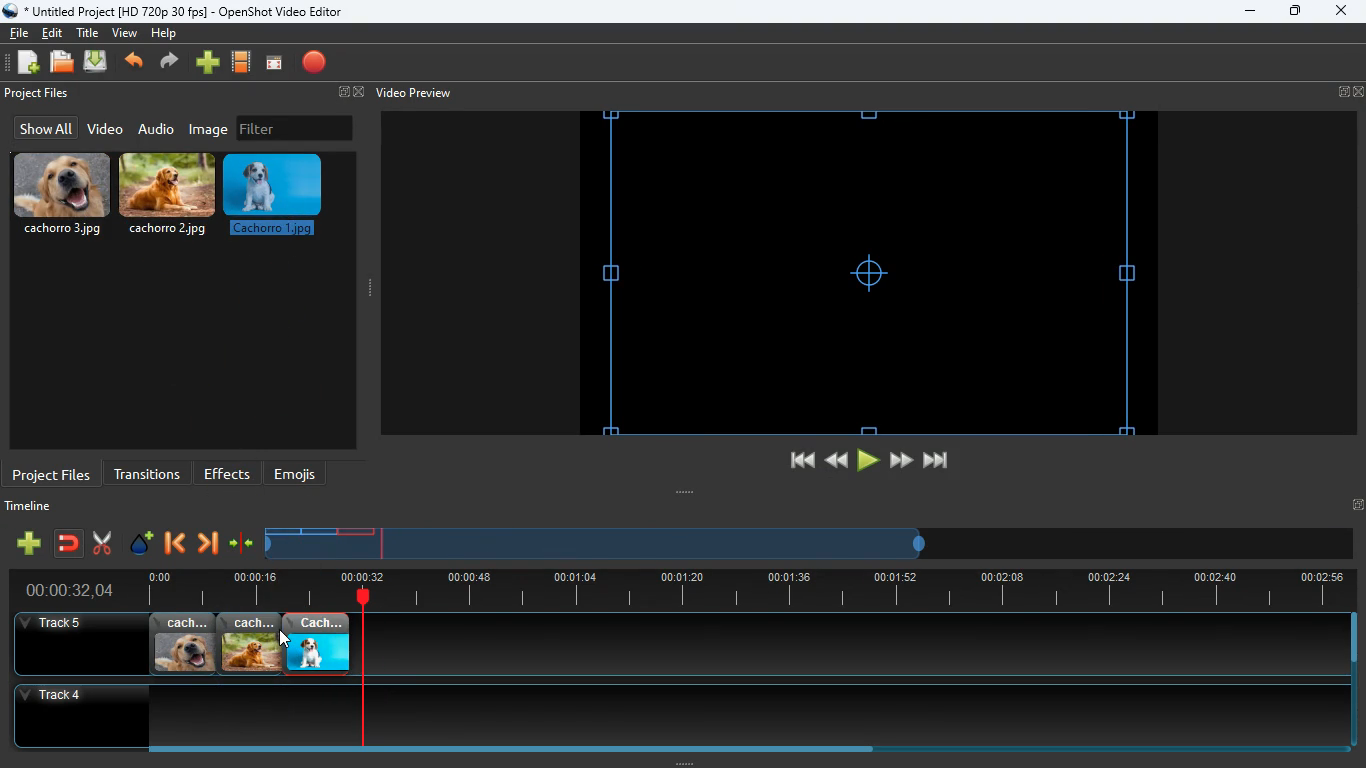 The height and width of the screenshot is (768, 1366). Describe the element at coordinates (740, 590) in the screenshot. I see `timeline` at that location.